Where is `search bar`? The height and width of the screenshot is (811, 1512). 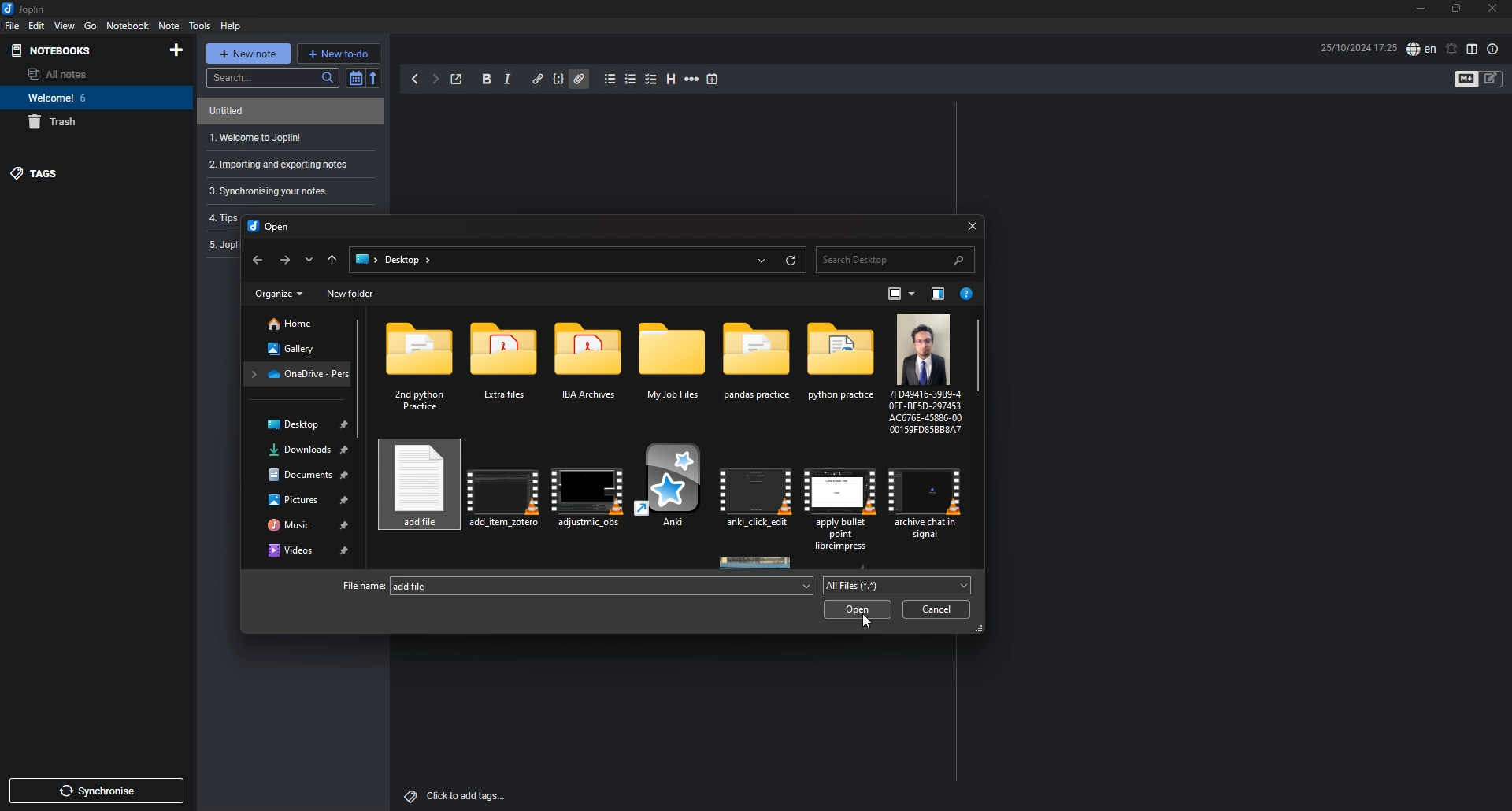 search bar is located at coordinates (895, 258).